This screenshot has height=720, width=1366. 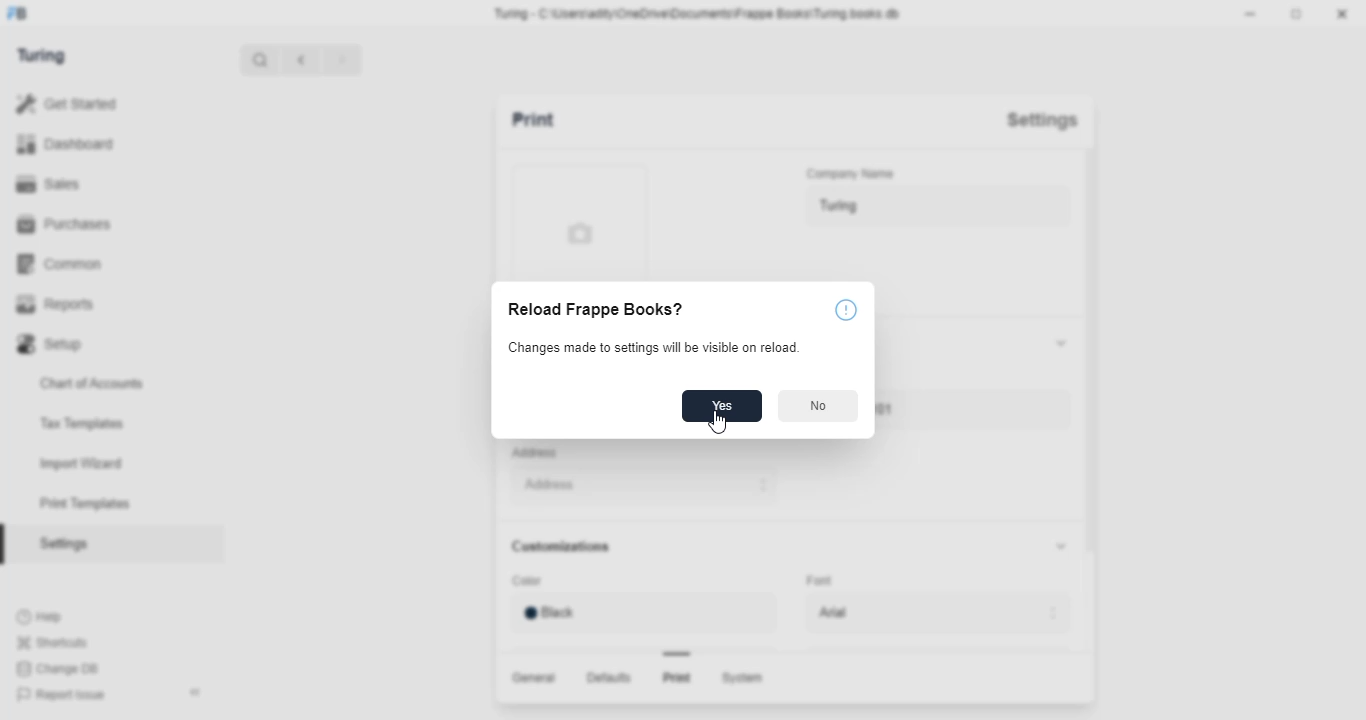 I want to click on Purchases, so click(x=99, y=223).